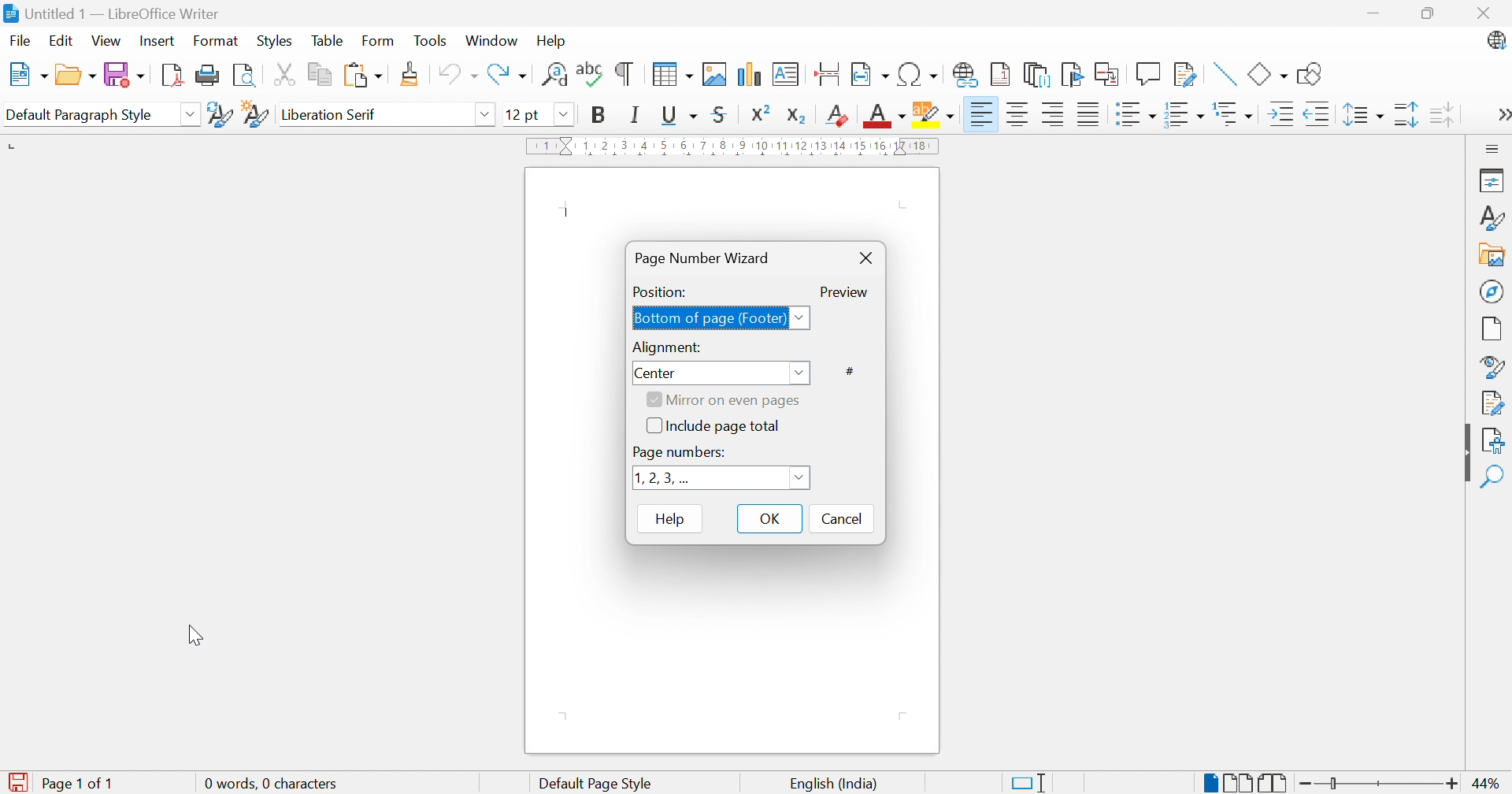 The width and height of the screenshot is (1512, 794). What do you see at coordinates (736, 402) in the screenshot?
I see `Mirror on even pages` at bounding box center [736, 402].